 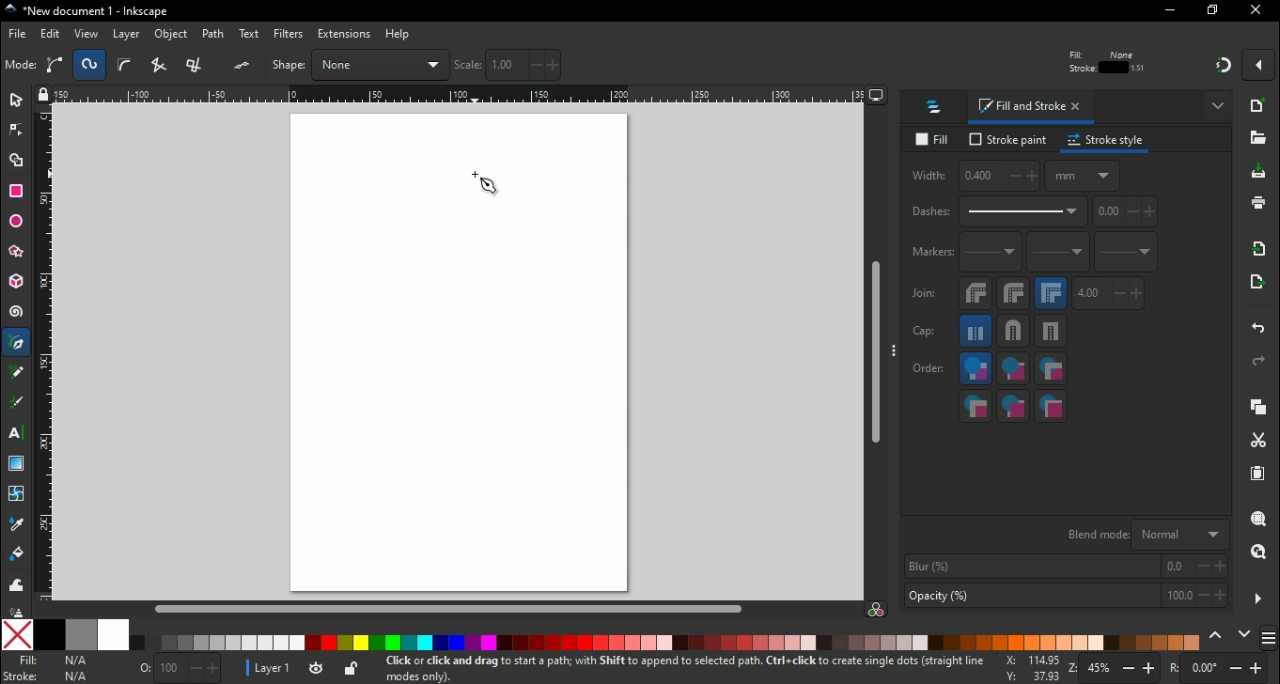 I want to click on miter, so click(x=1053, y=296).